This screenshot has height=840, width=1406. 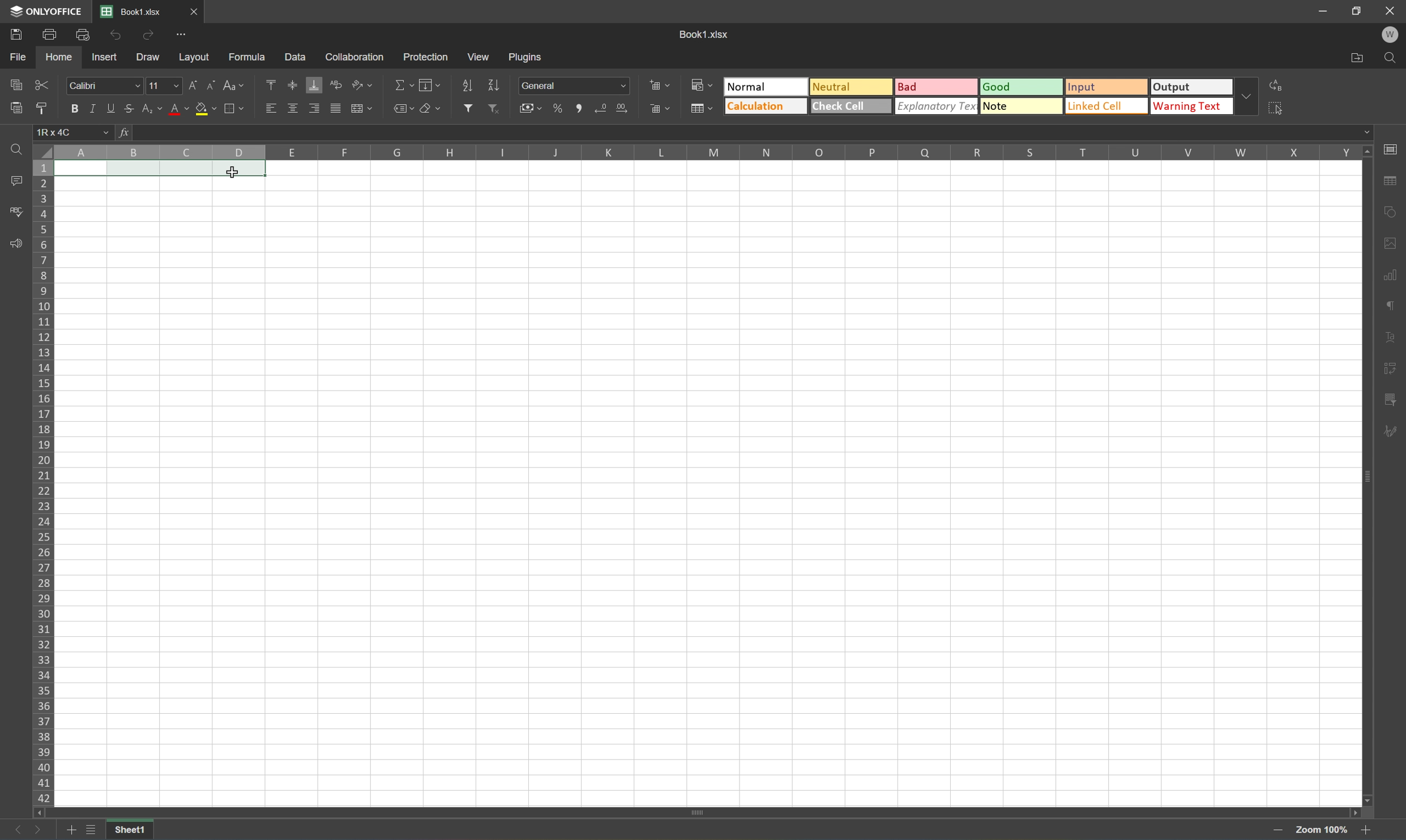 What do you see at coordinates (194, 58) in the screenshot?
I see `Layout` at bounding box center [194, 58].